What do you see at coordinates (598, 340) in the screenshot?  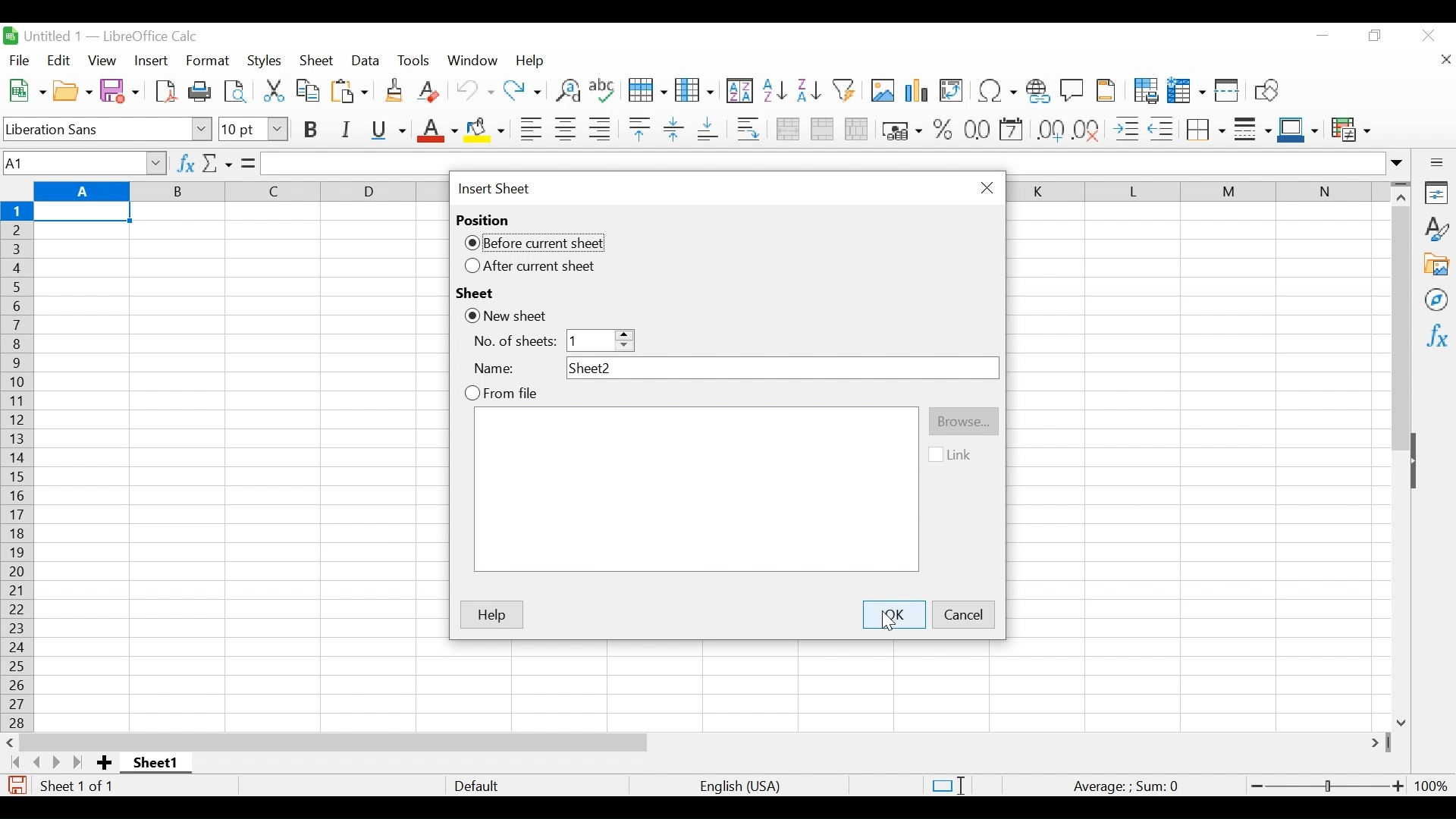 I see `Dropdown ` at bounding box center [598, 340].